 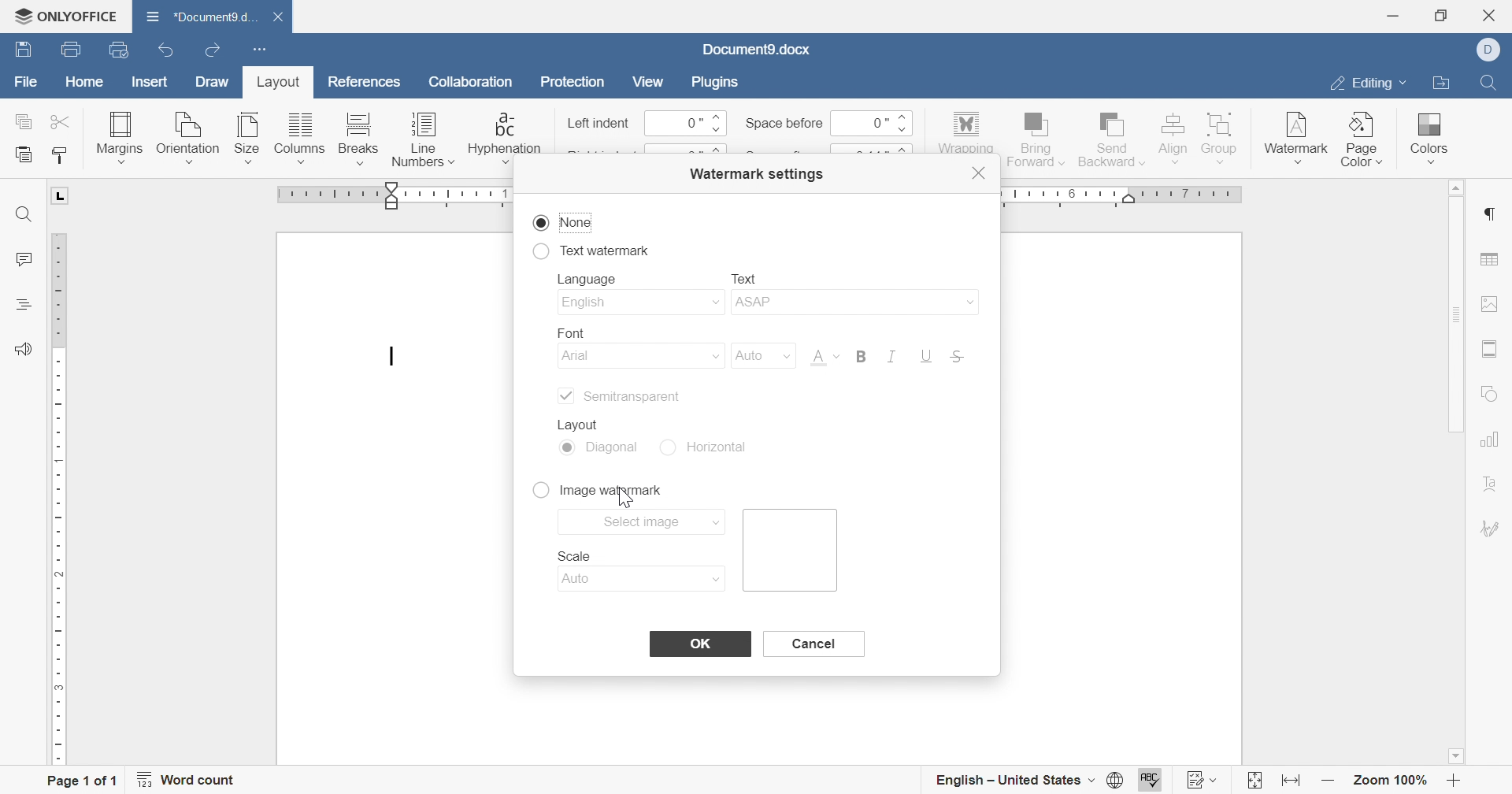 I want to click on paste, so click(x=24, y=155).